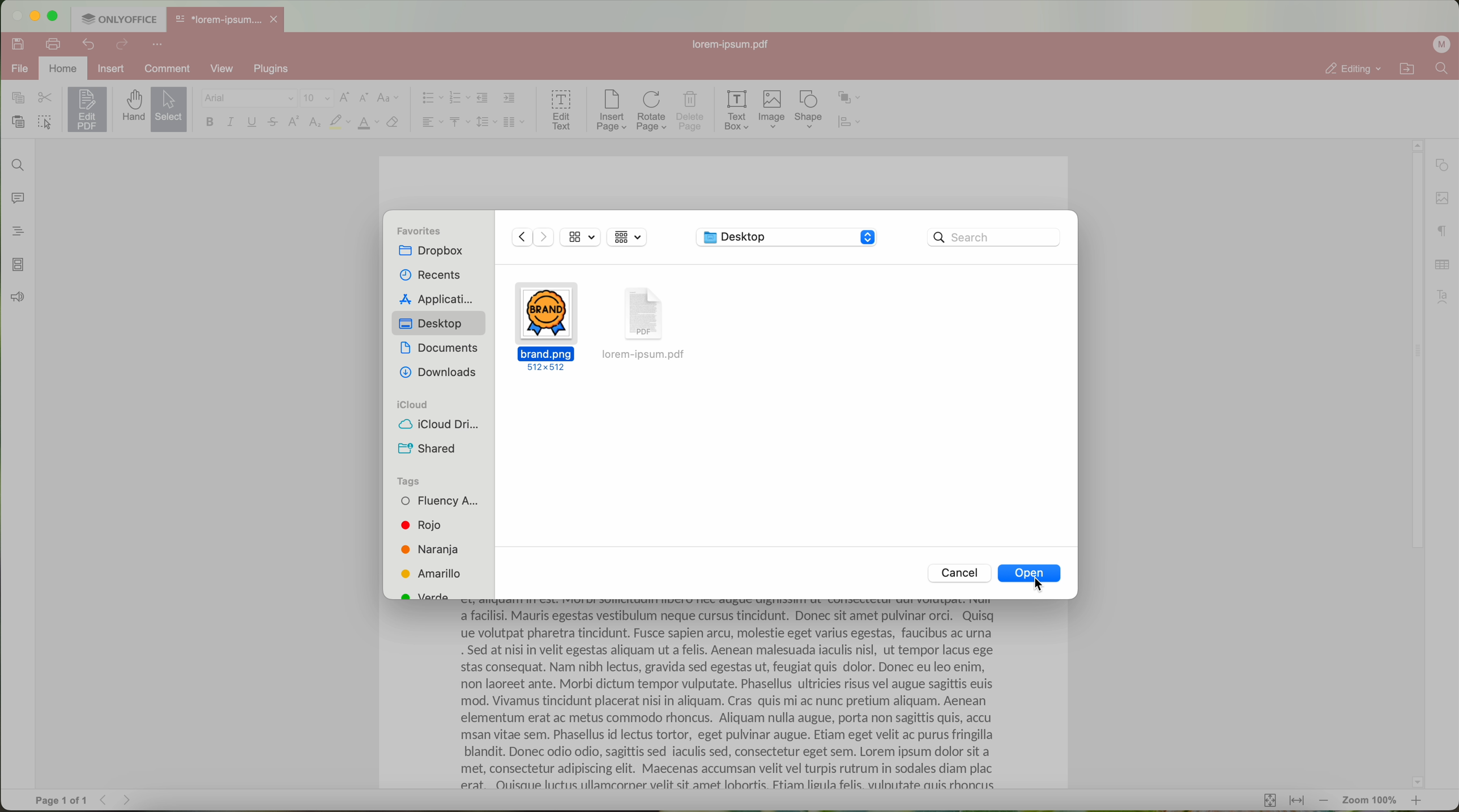 This screenshot has width=1459, height=812. What do you see at coordinates (428, 448) in the screenshot?
I see `shared` at bounding box center [428, 448].